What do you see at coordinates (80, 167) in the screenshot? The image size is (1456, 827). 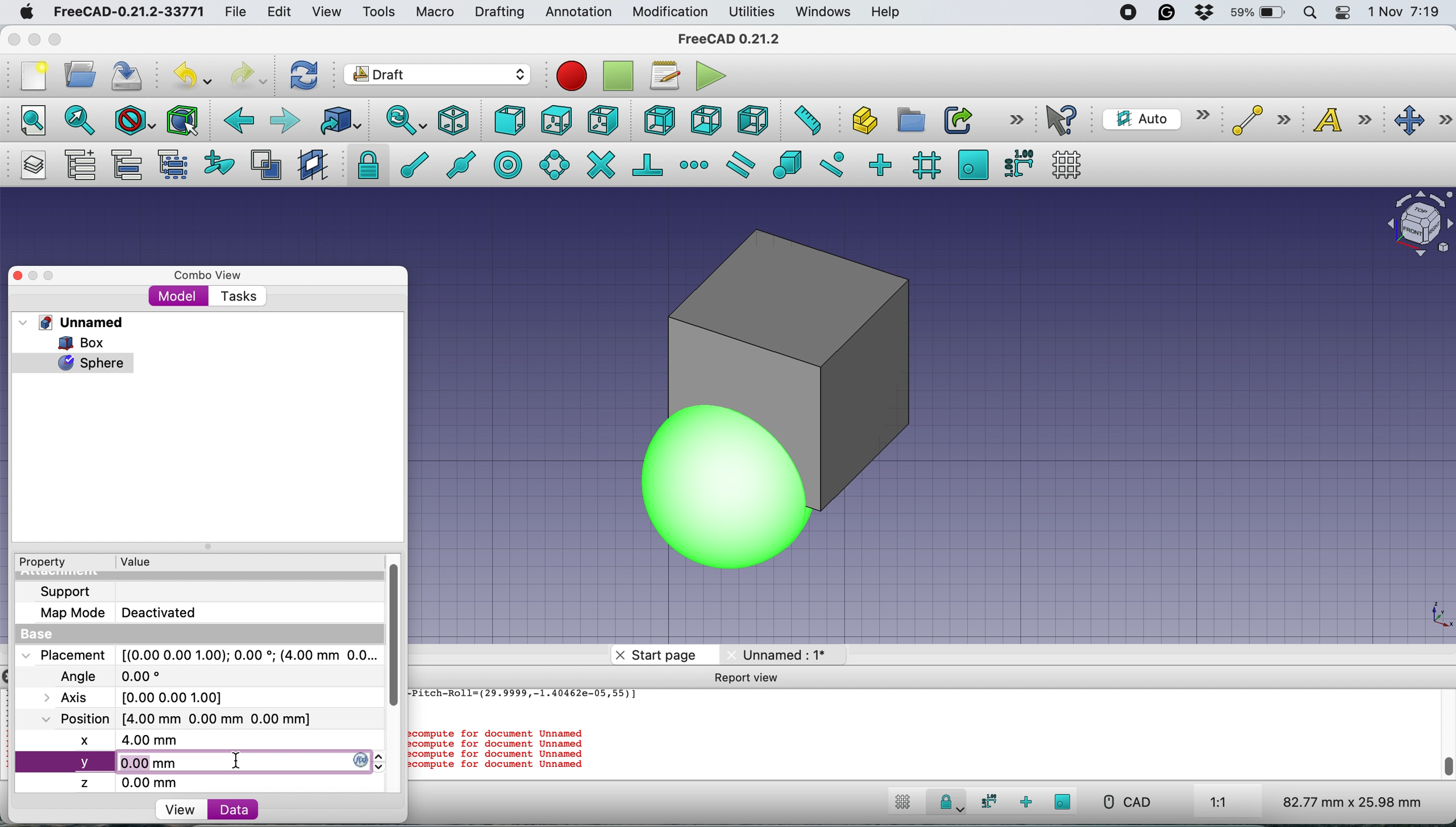 I see `add a new named group` at bounding box center [80, 167].